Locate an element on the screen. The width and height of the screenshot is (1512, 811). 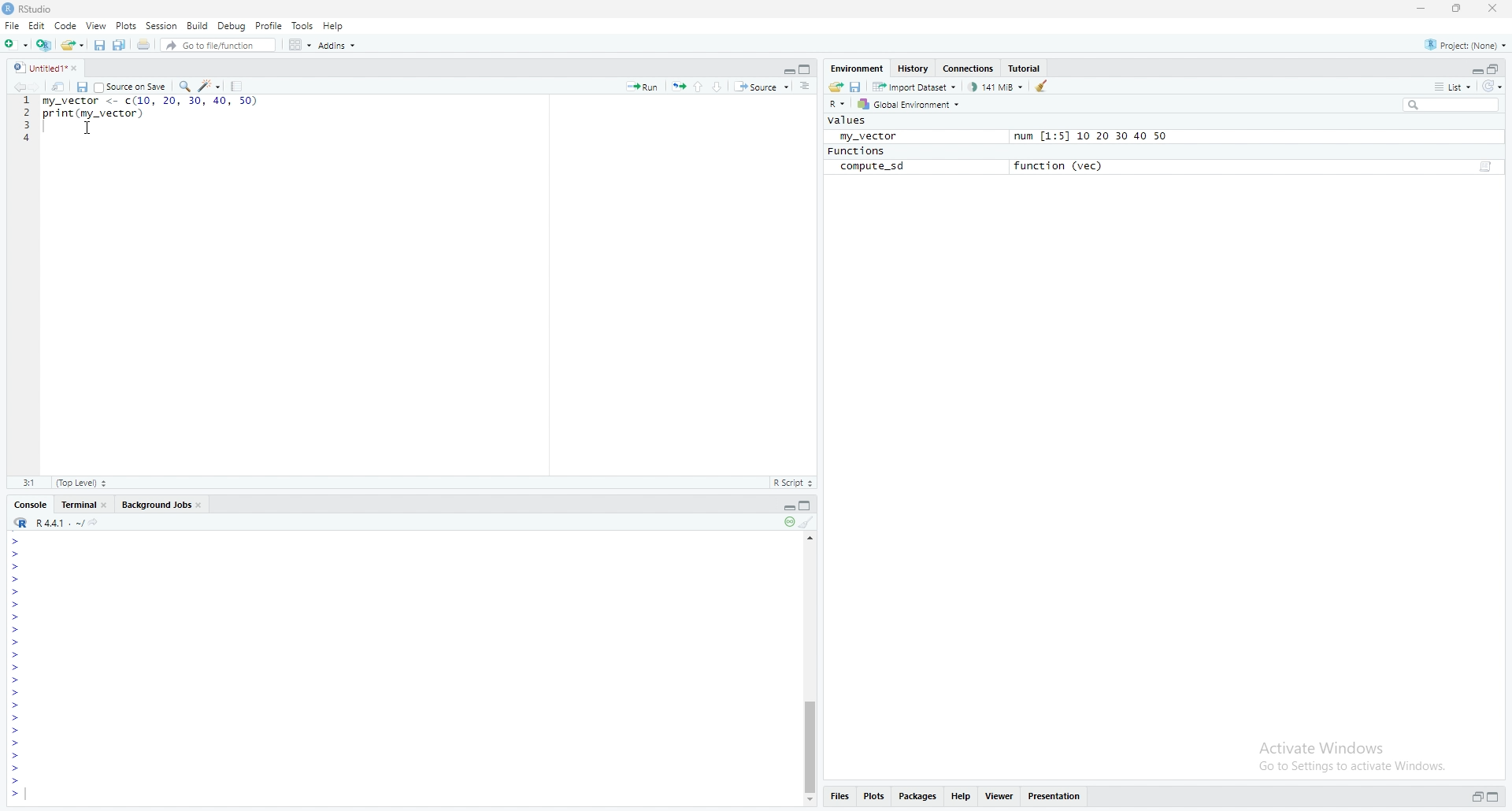
Code is located at coordinates (68, 26).